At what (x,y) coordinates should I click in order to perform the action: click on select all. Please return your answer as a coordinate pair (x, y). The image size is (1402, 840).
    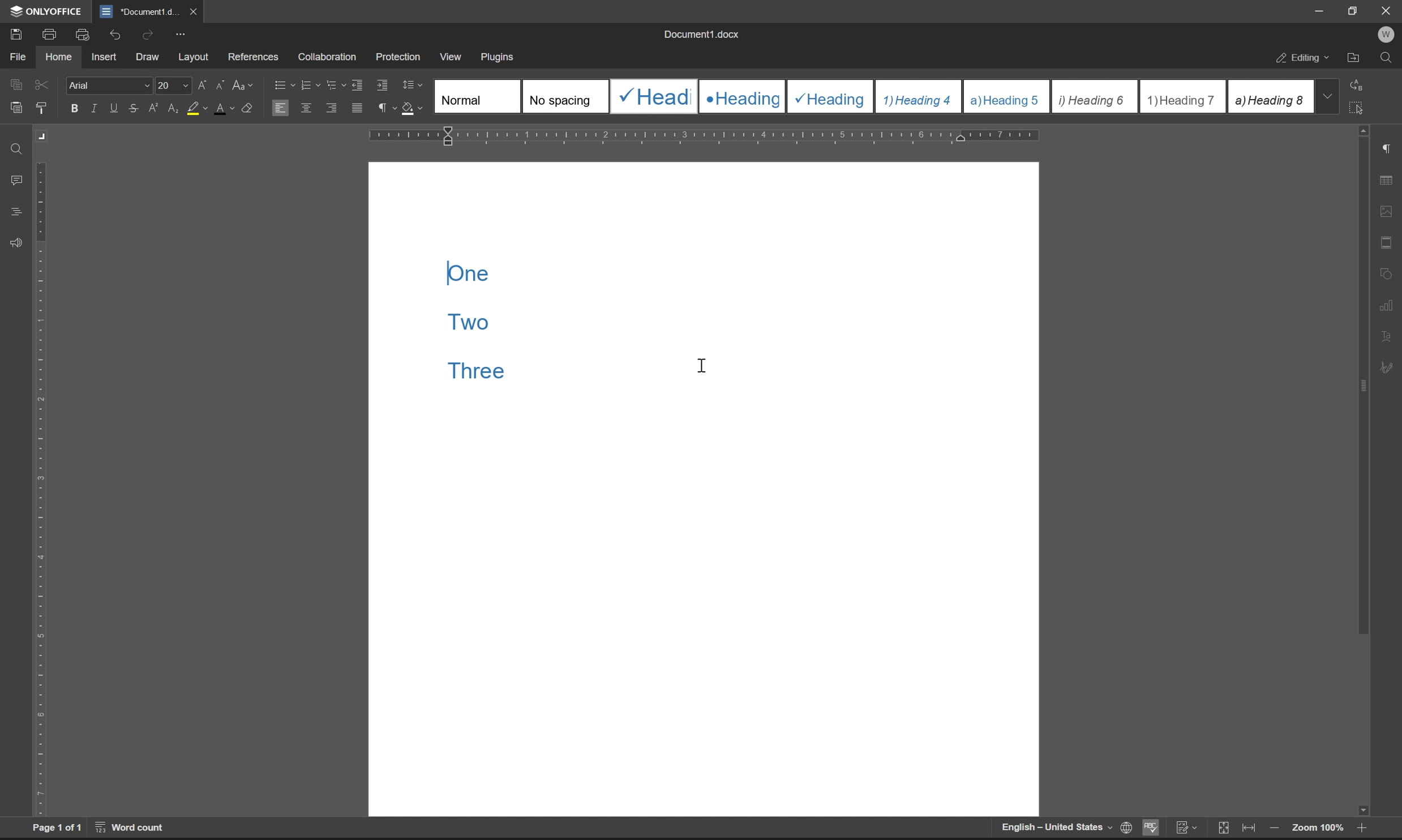
    Looking at the image, I should click on (1359, 107).